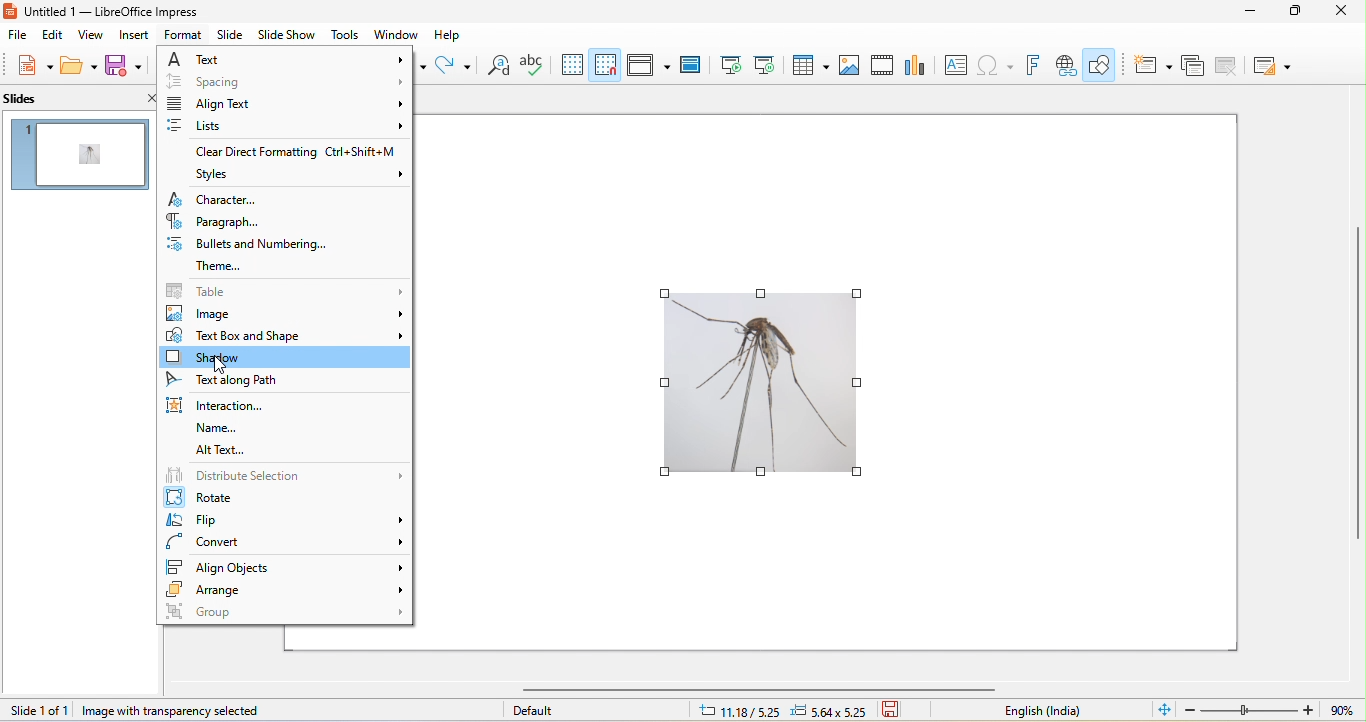 The height and width of the screenshot is (722, 1366). I want to click on view, so click(92, 35).